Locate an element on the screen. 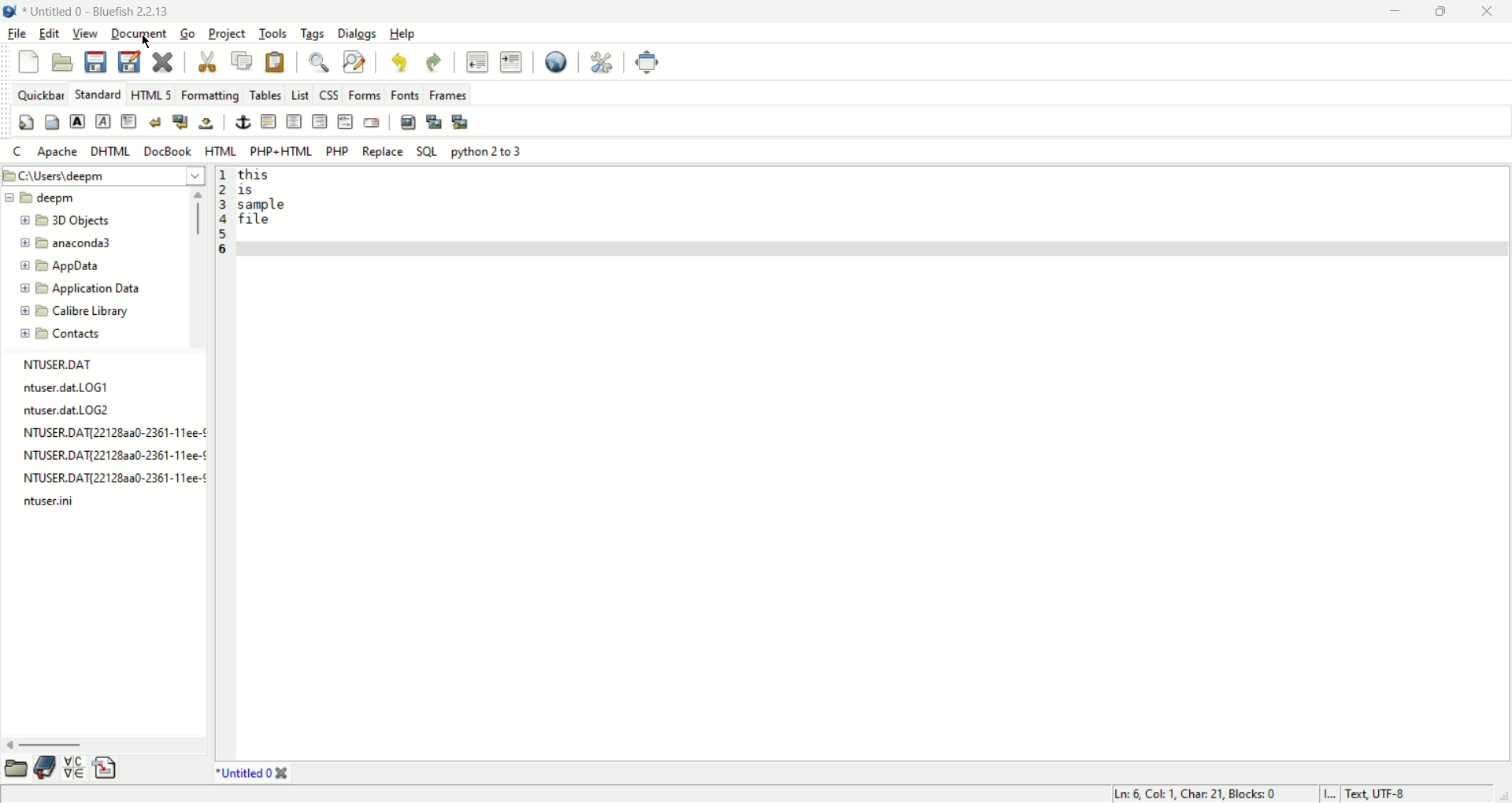 This screenshot has height=803, width=1512. HTML is located at coordinates (219, 152).